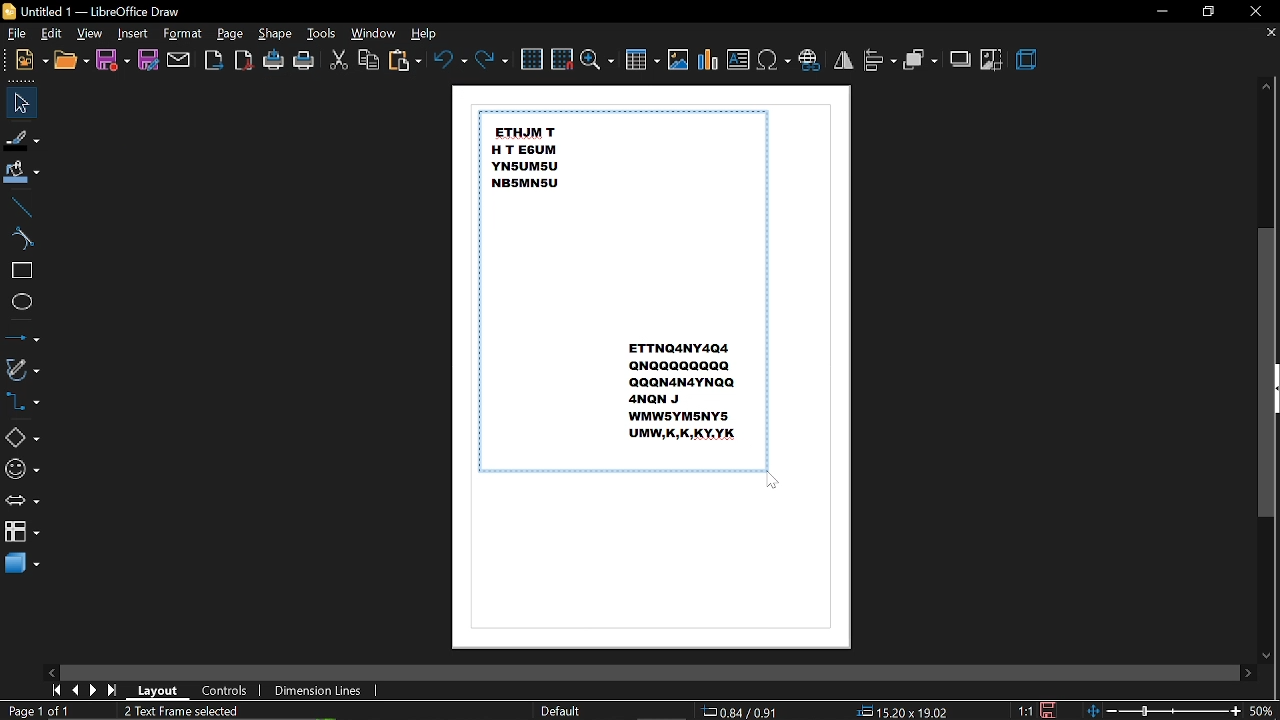 The width and height of the screenshot is (1280, 720). Describe the element at coordinates (562, 58) in the screenshot. I see `snap to grid` at that location.